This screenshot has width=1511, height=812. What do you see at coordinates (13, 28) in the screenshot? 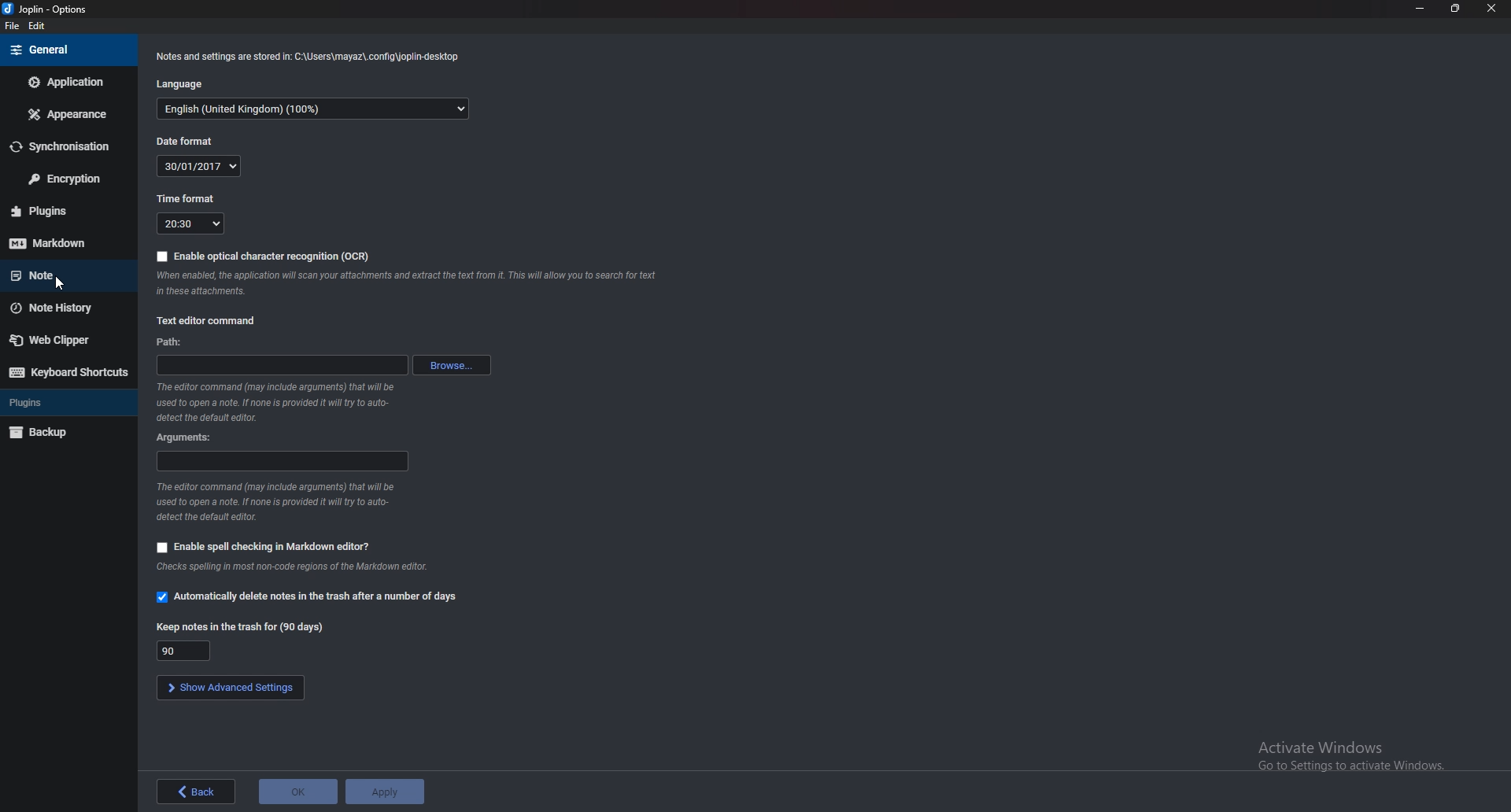
I see `file` at bounding box center [13, 28].